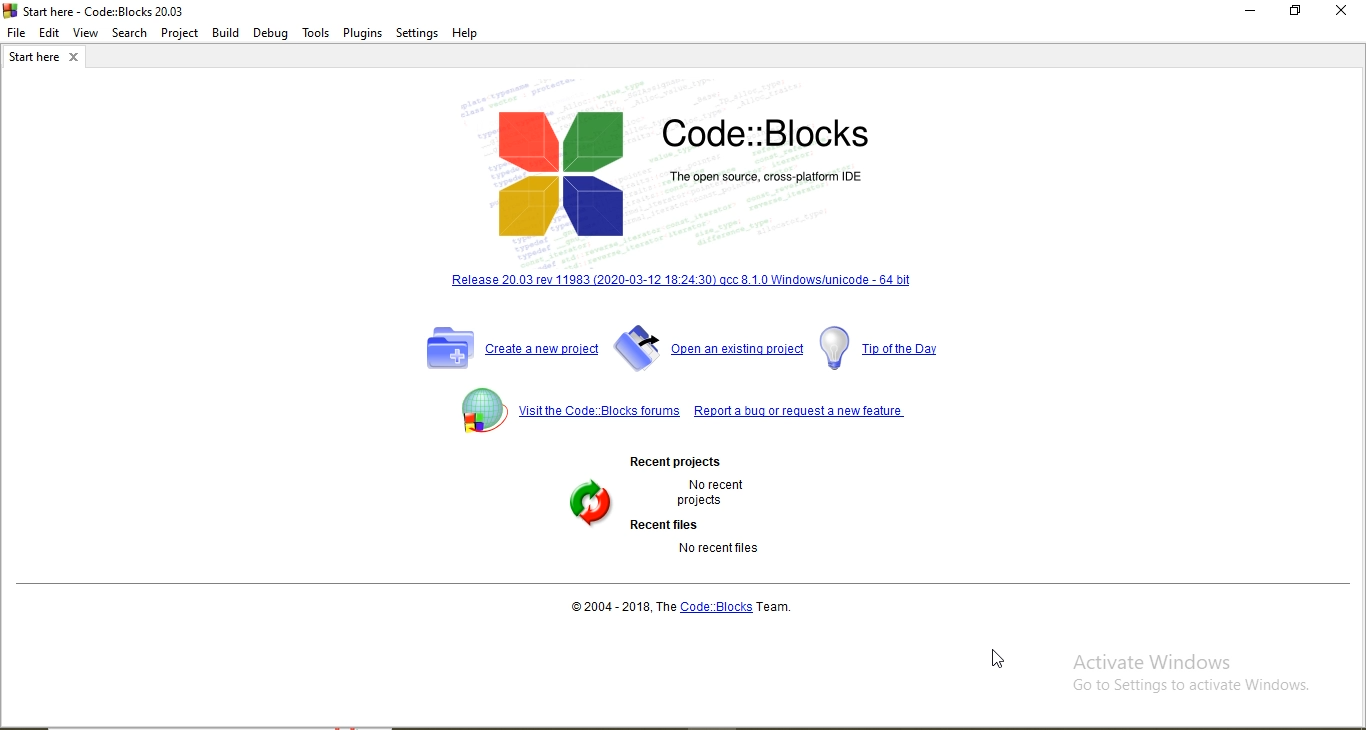  I want to click on Visit the Code-Blocks forums, so click(564, 412).